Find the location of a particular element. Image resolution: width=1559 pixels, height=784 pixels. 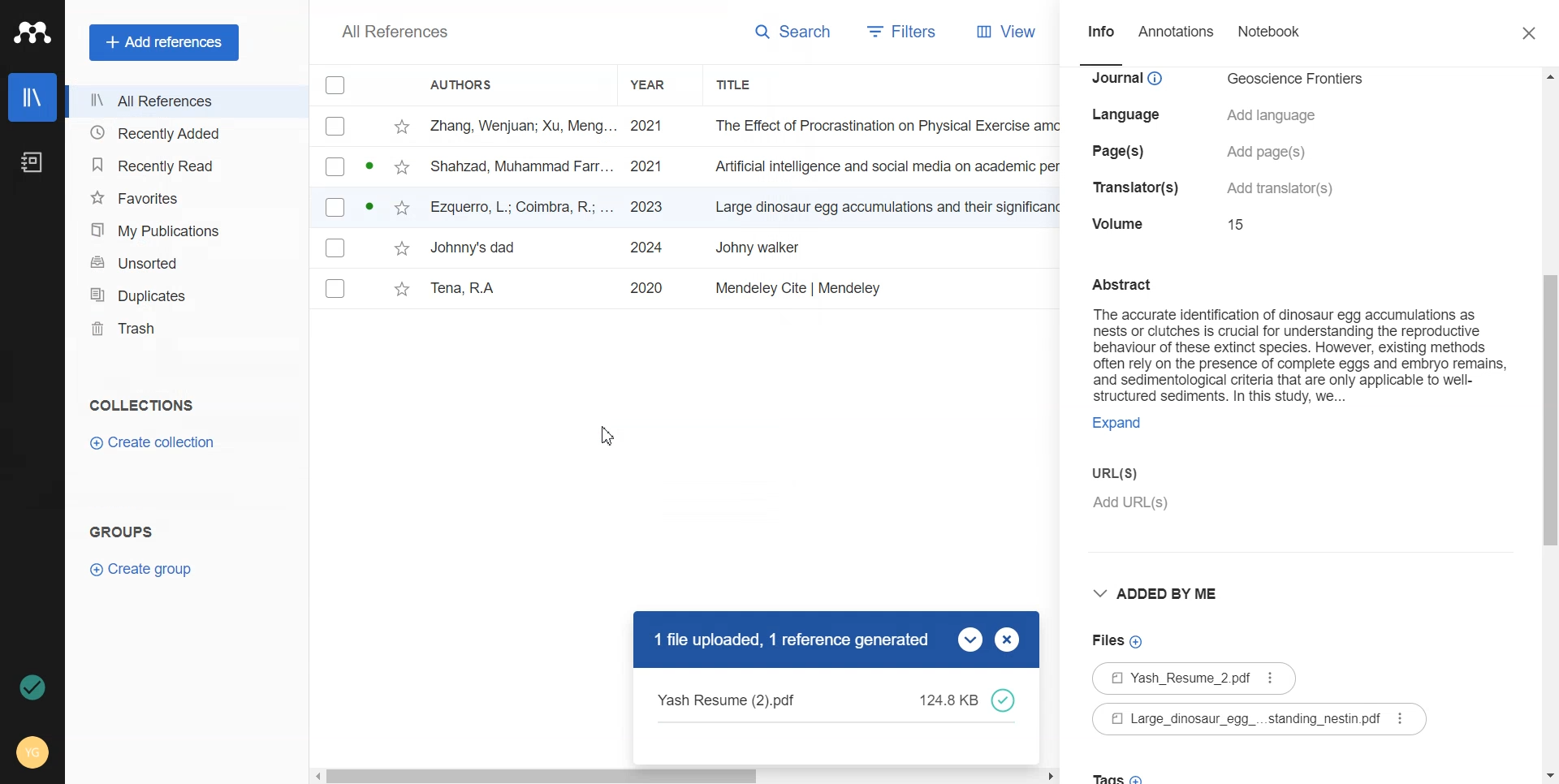

File is located at coordinates (1173, 678).